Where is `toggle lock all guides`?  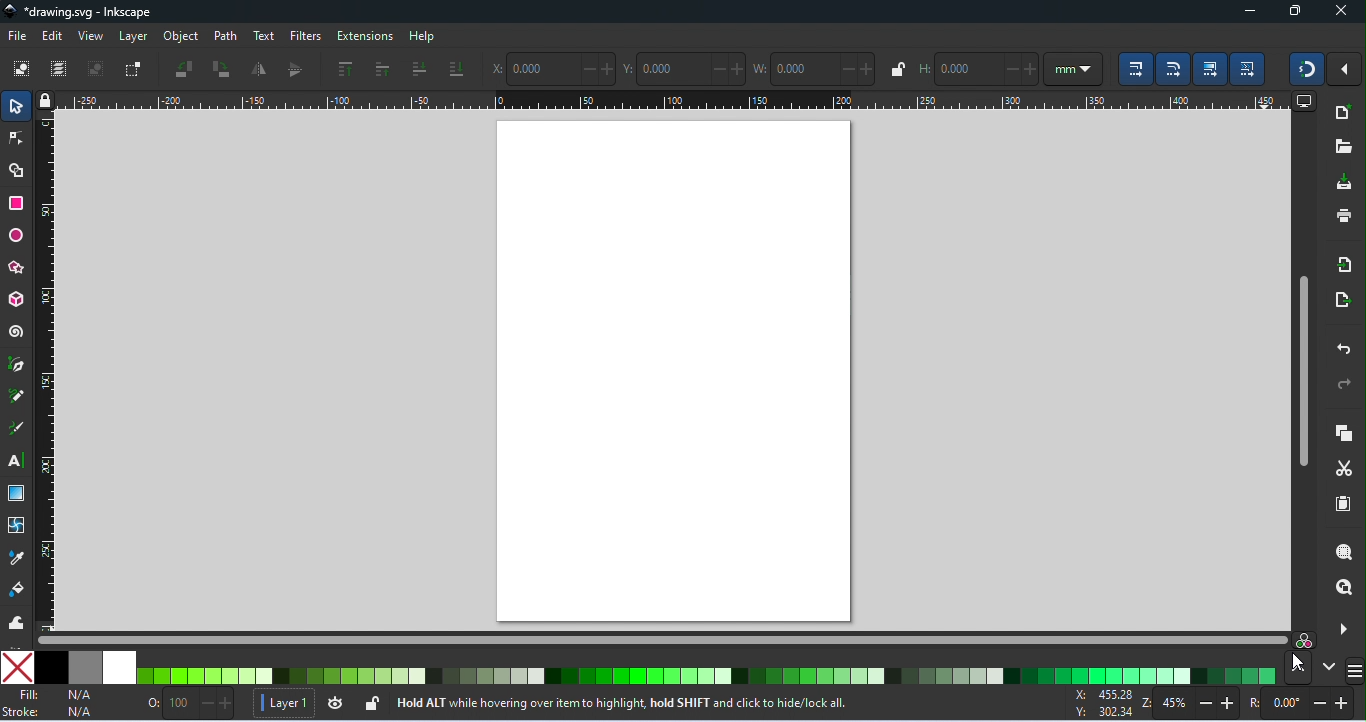 toggle lock all guides is located at coordinates (47, 101).